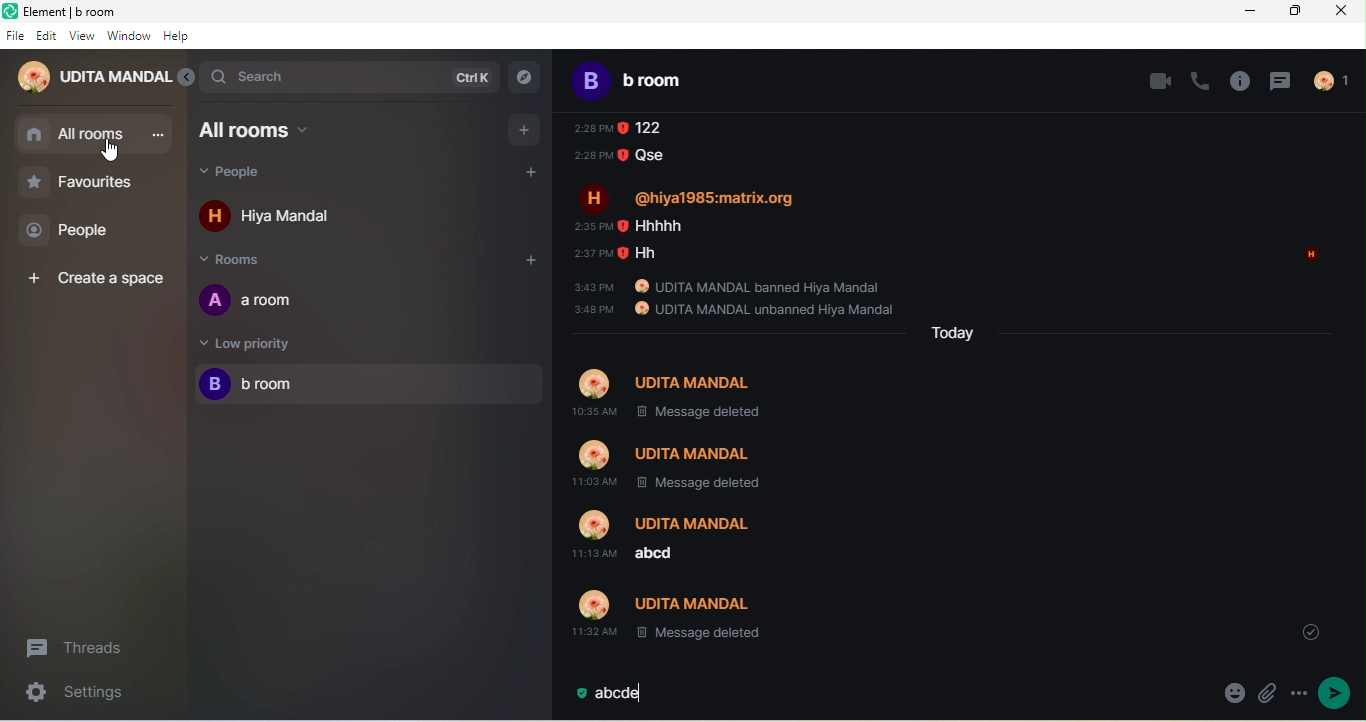 This screenshot has height=722, width=1366. What do you see at coordinates (1296, 11) in the screenshot?
I see `maximize` at bounding box center [1296, 11].